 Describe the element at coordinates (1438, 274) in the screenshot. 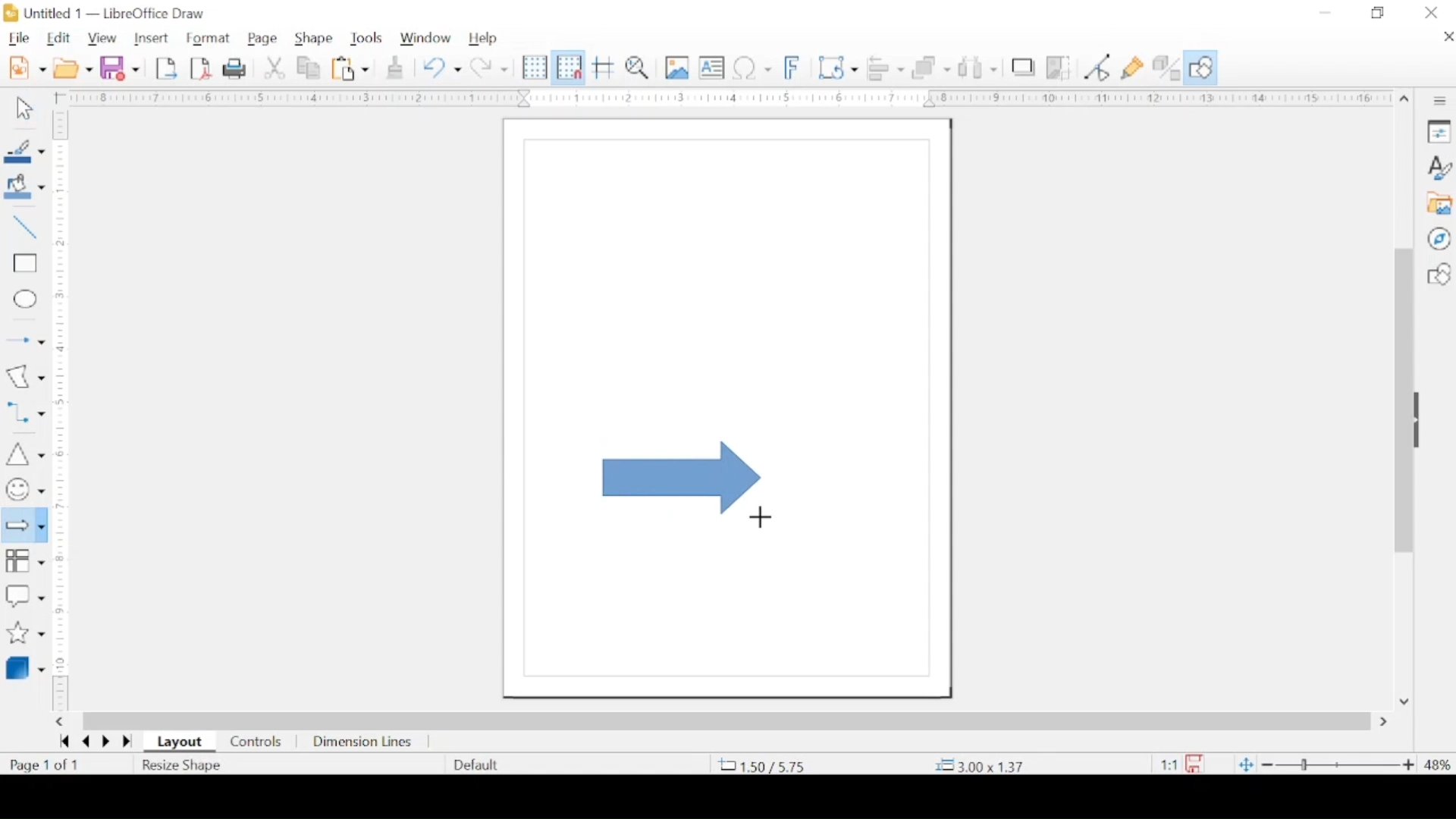

I see `basic shape` at that location.